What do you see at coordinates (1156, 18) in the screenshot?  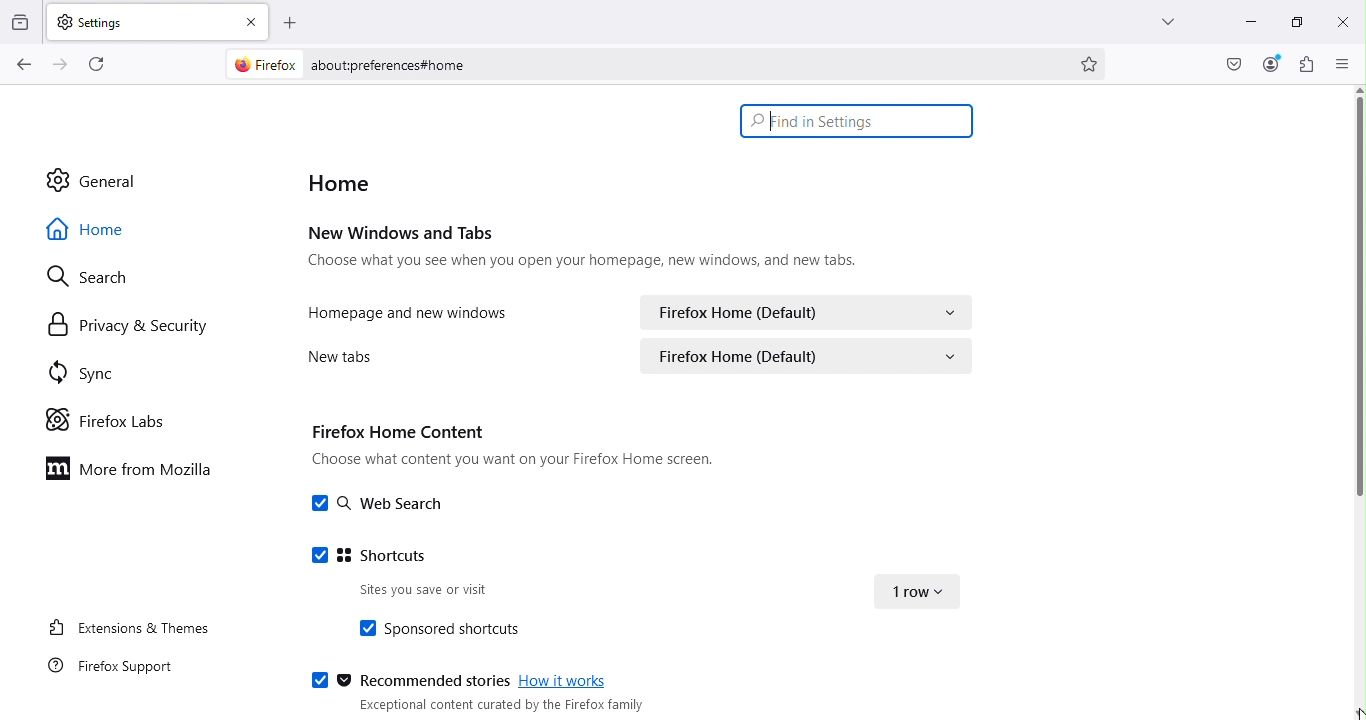 I see `List all tabs` at bounding box center [1156, 18].